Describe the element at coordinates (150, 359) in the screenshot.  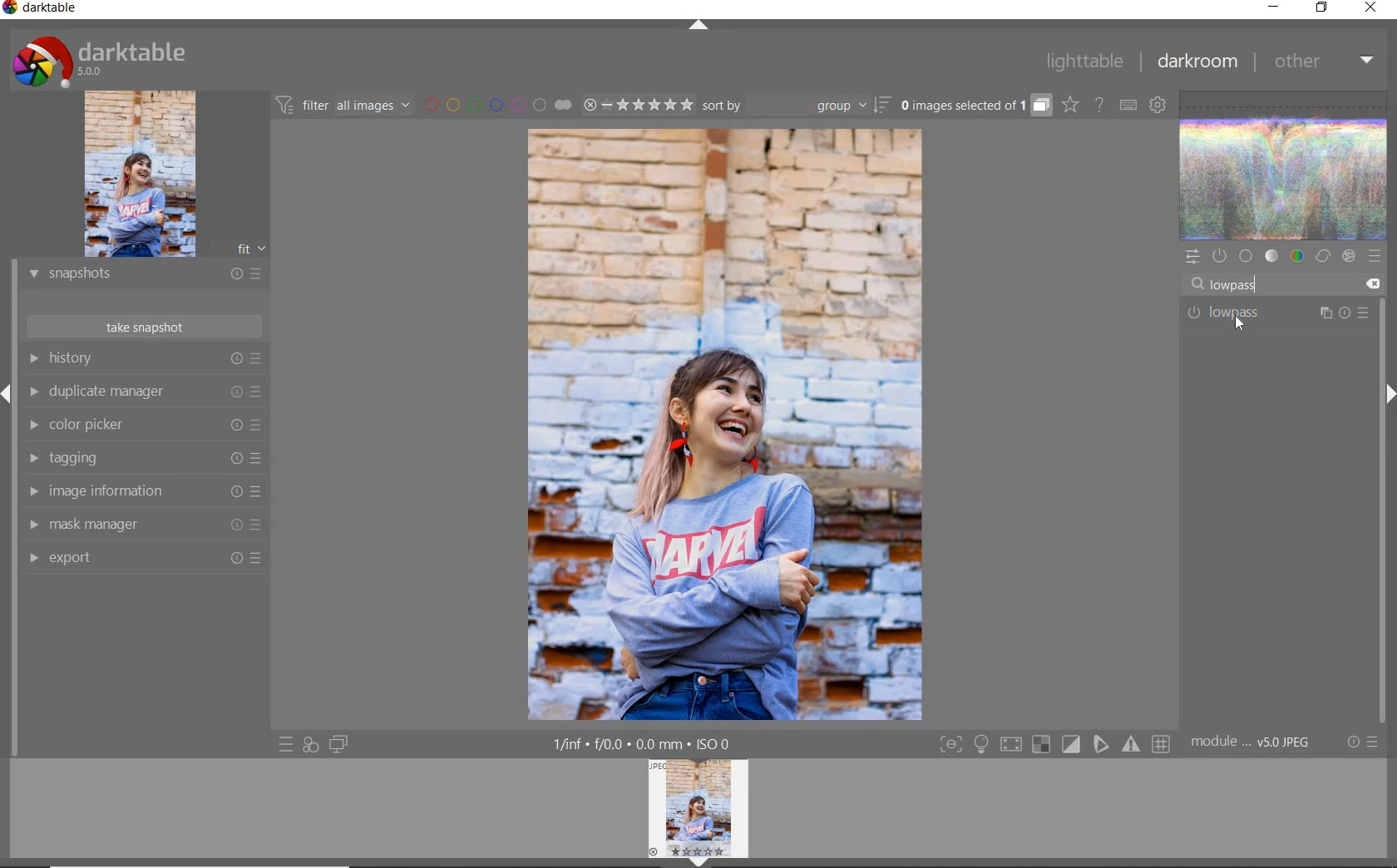
I see `history` at that location.